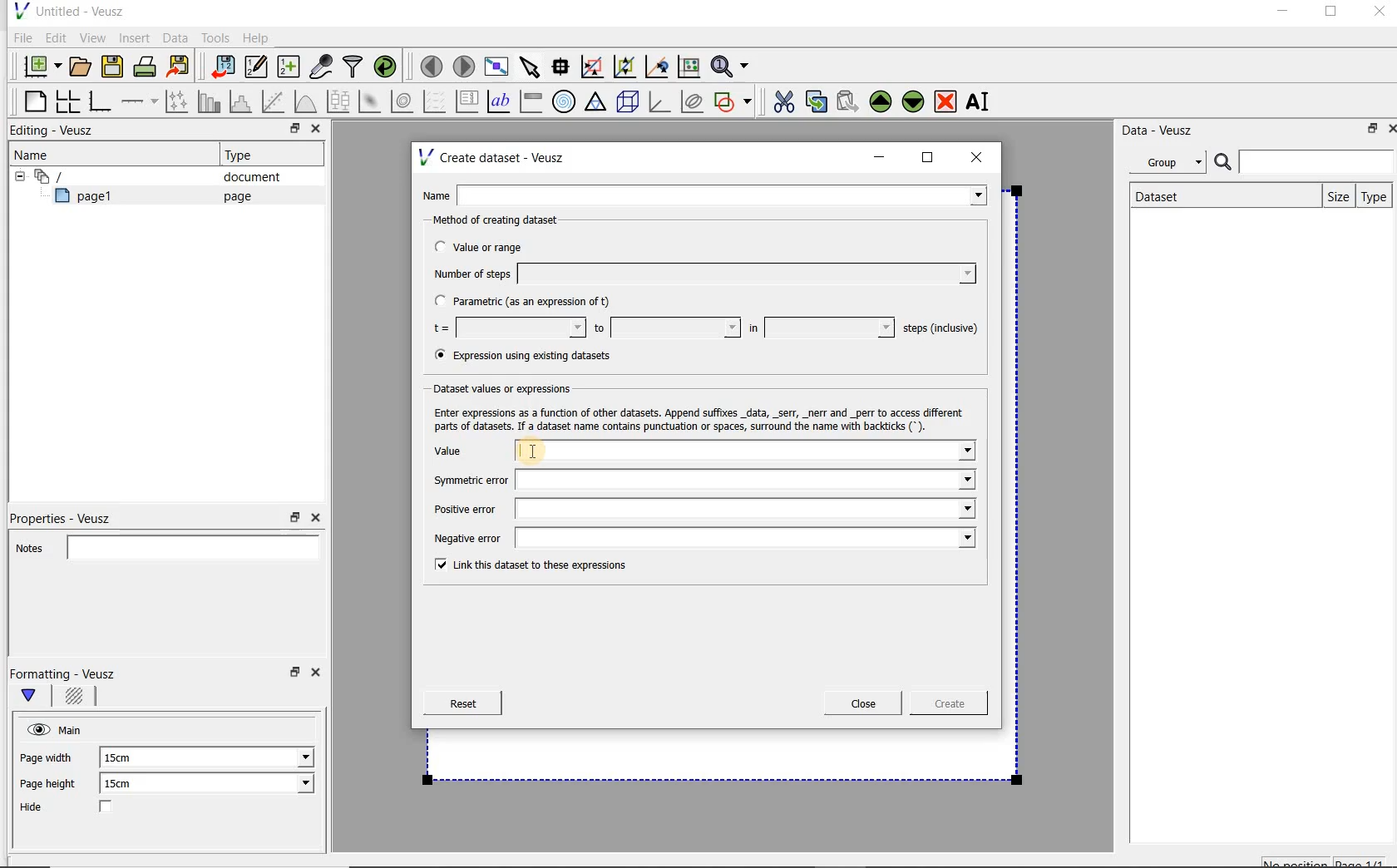  What do you see at coordinates (1163, 130) in the screenshot?
I see `Data - Veusz` at bounding box center [1163, 130].